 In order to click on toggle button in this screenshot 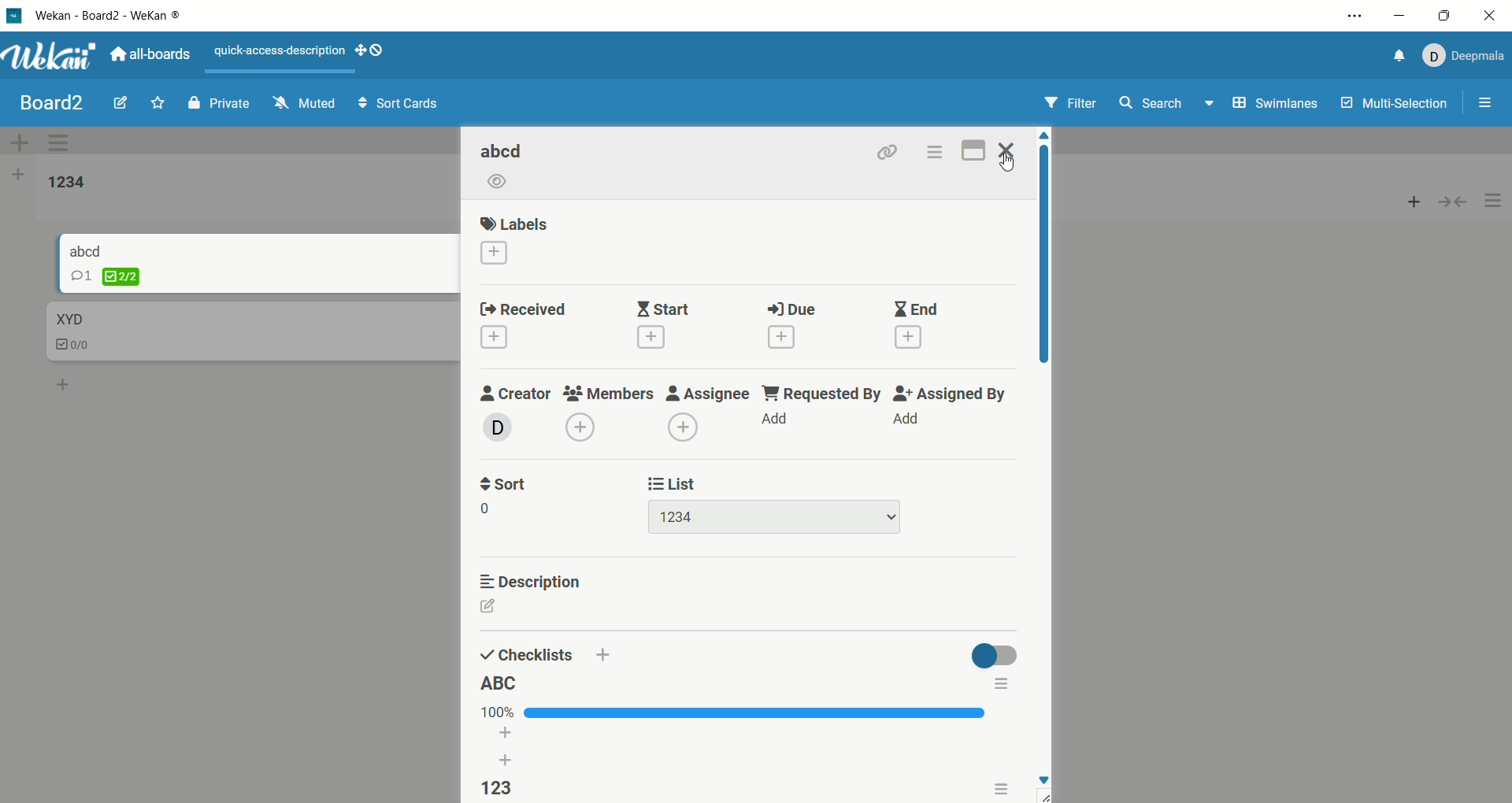, I will do `click(998, 651)`.